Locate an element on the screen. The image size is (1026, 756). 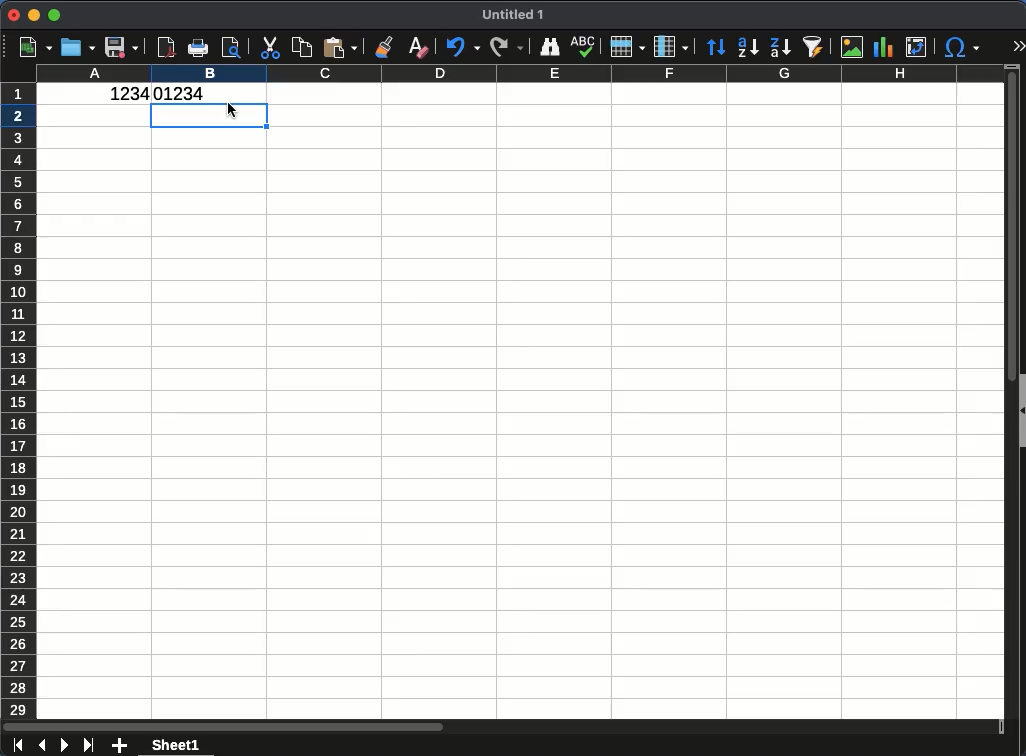
finder is located at coordinates (549, 47).